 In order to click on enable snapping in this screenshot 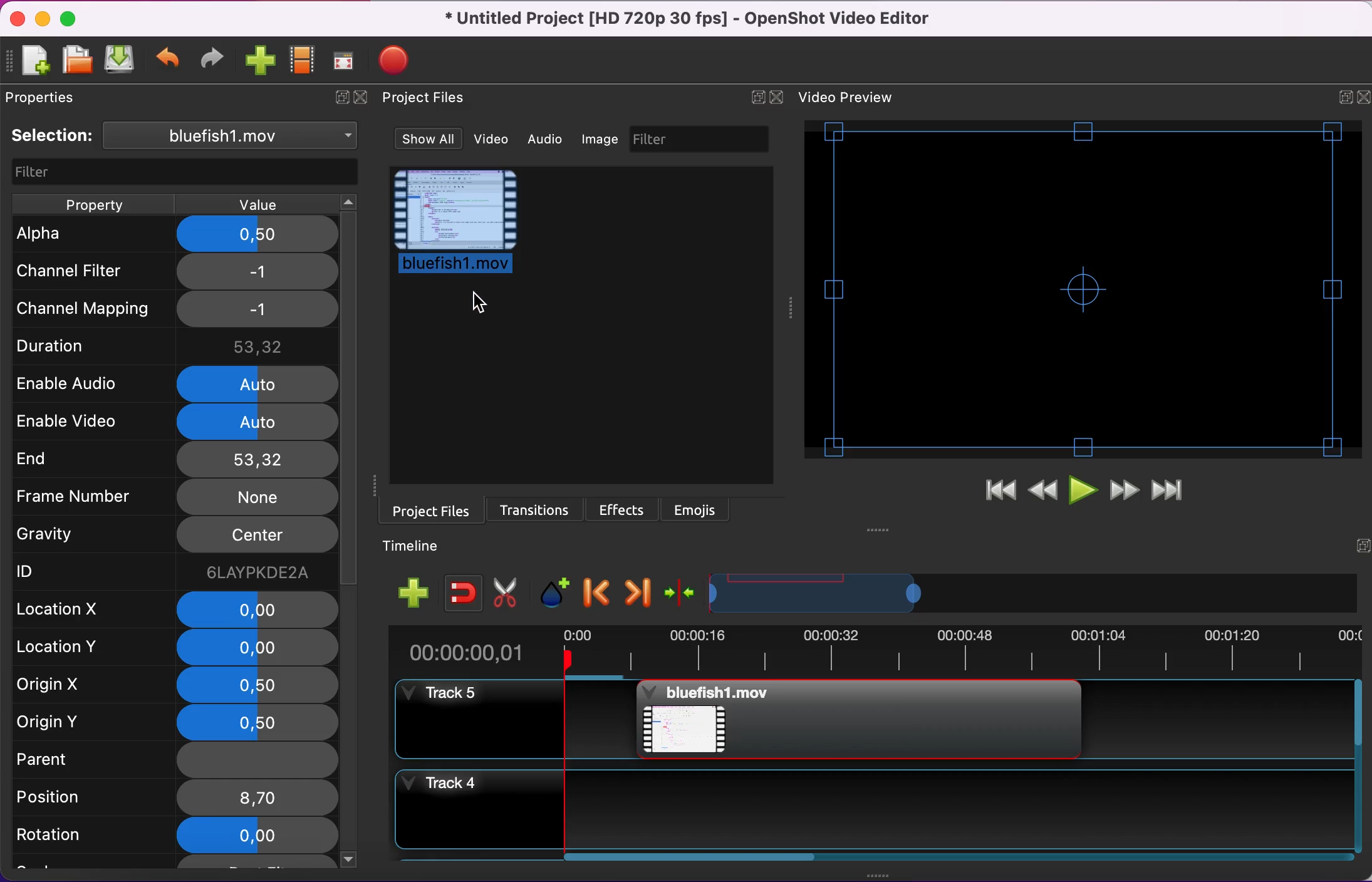, I will do `click(467, 592)`.